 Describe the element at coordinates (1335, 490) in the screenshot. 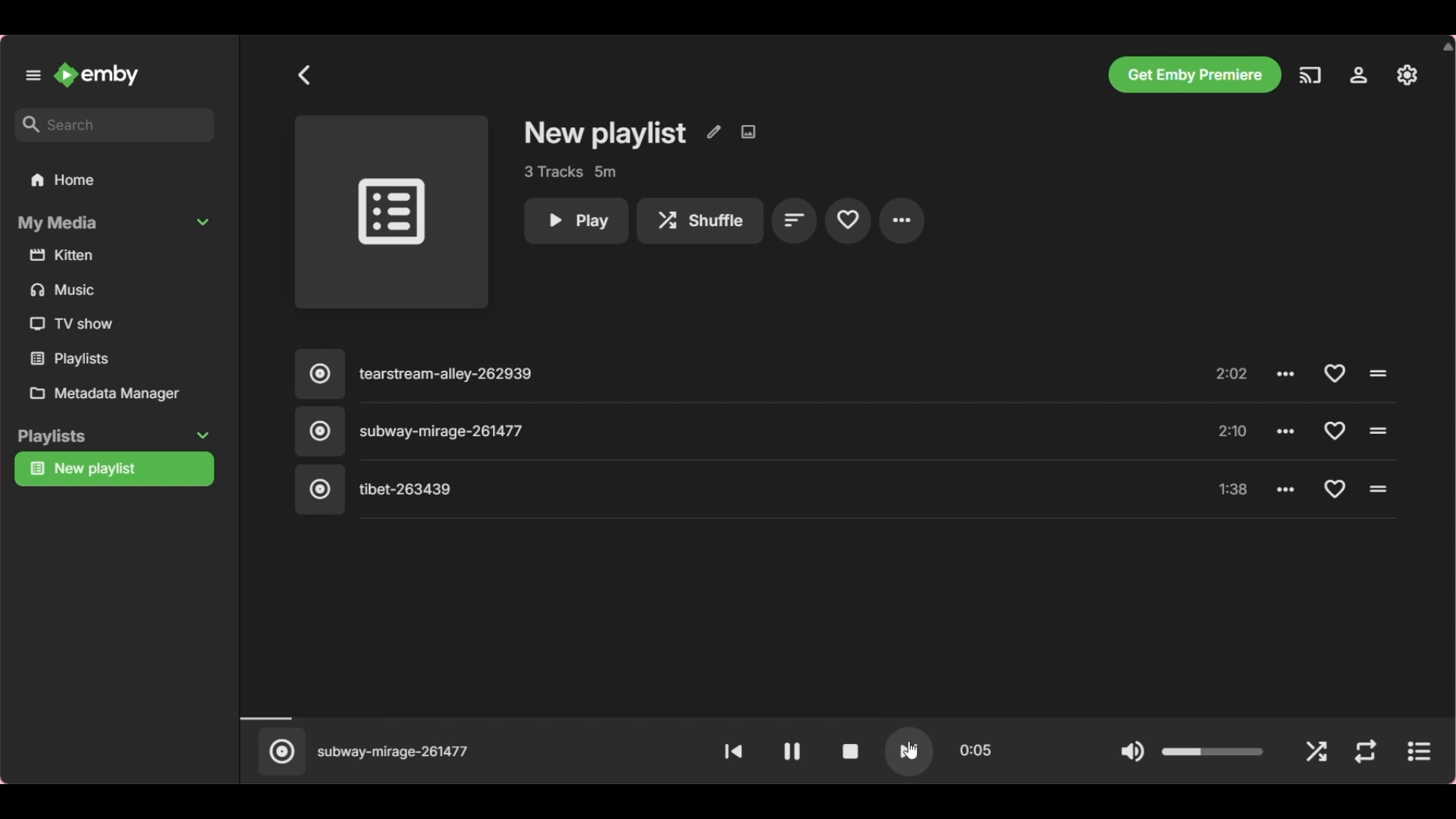

I see `Add to favorite` at that location.